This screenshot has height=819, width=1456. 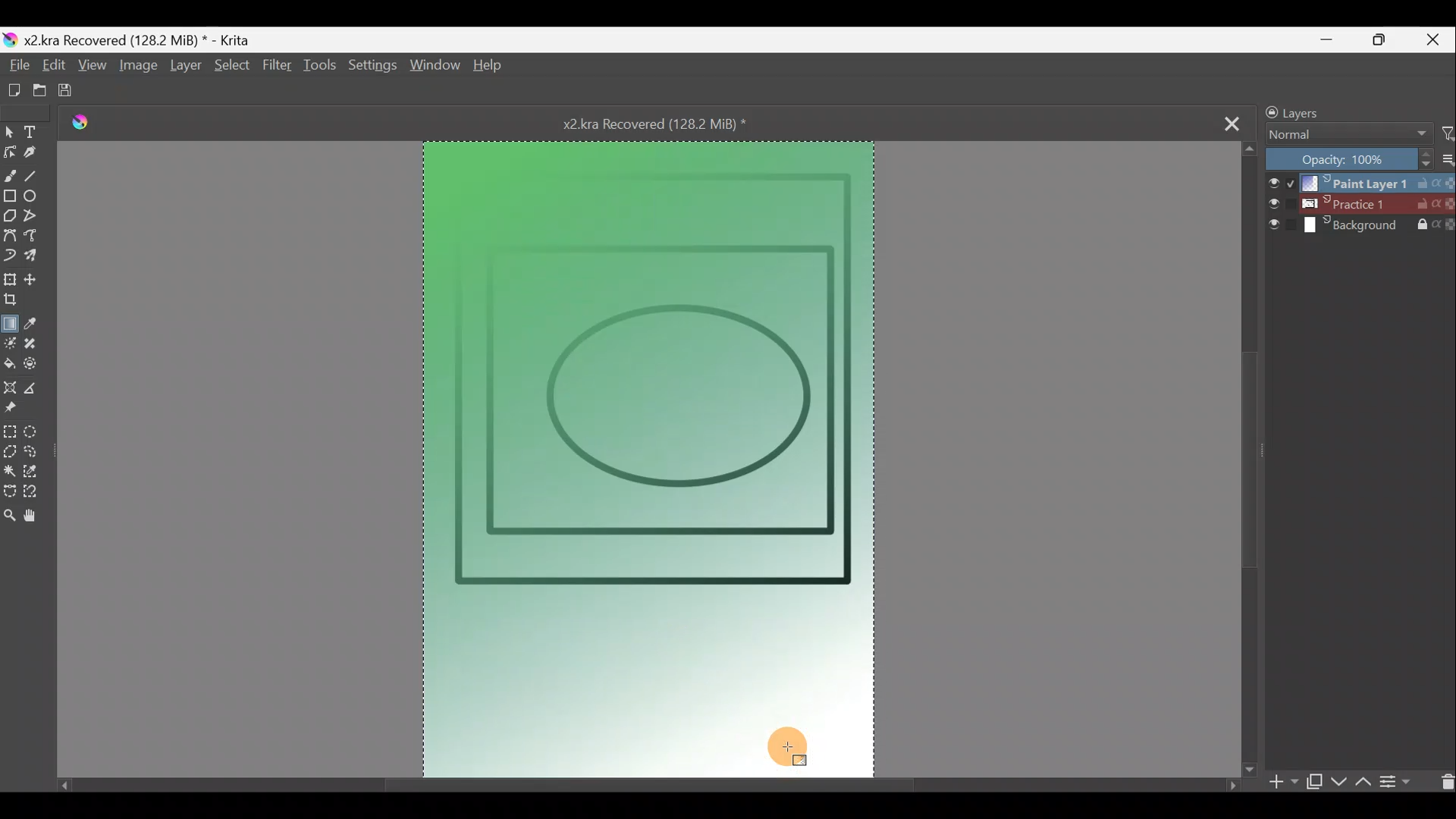 What do you see at coordinates (10, 175) in the screenshot?
I see `Freehand brush tool` at bounding box center [10, 175].